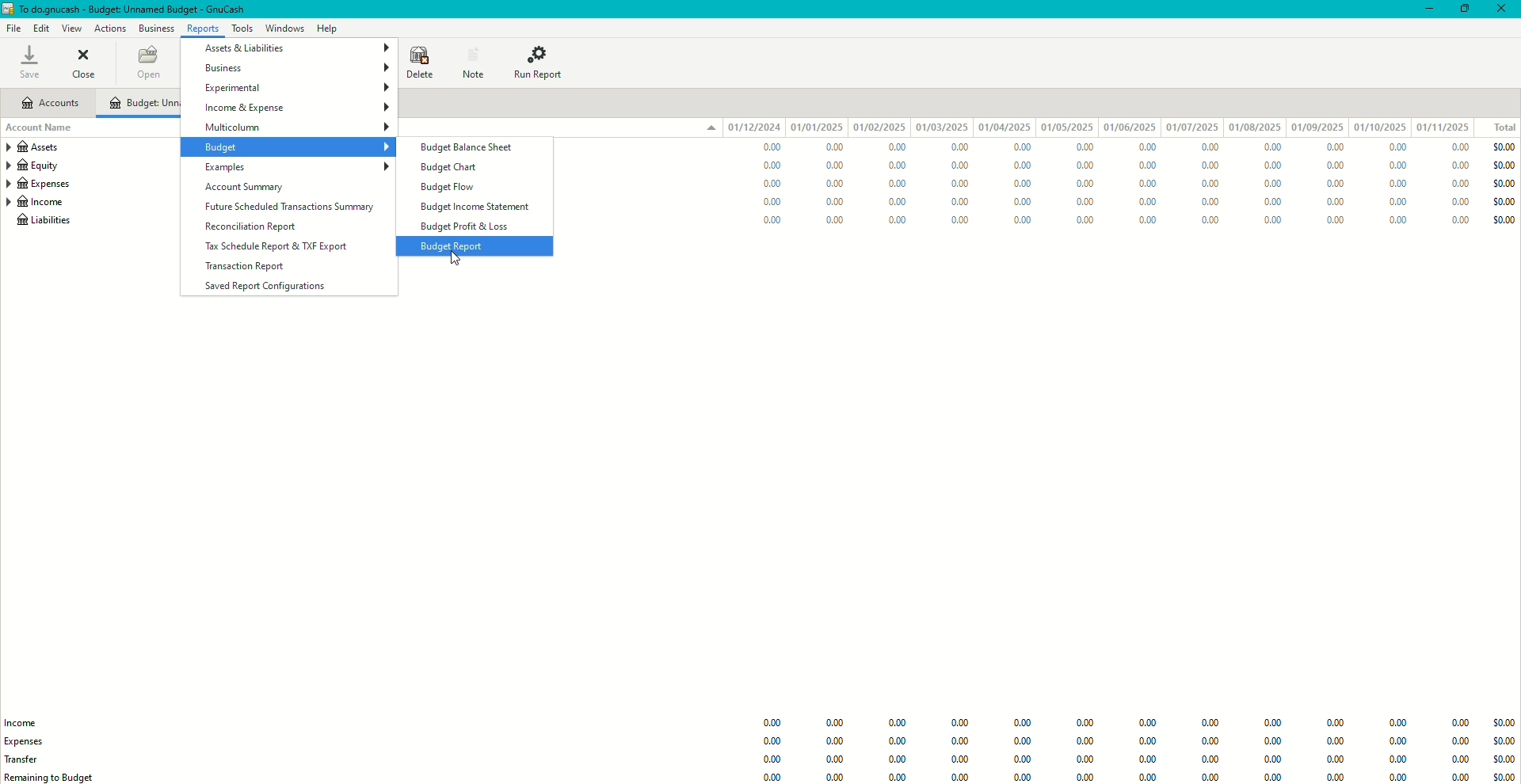 This screenshot has width=1521, height=784. Describe the element at coordinates (1334, 724) in the screenshot. I see `0.00` at that location.